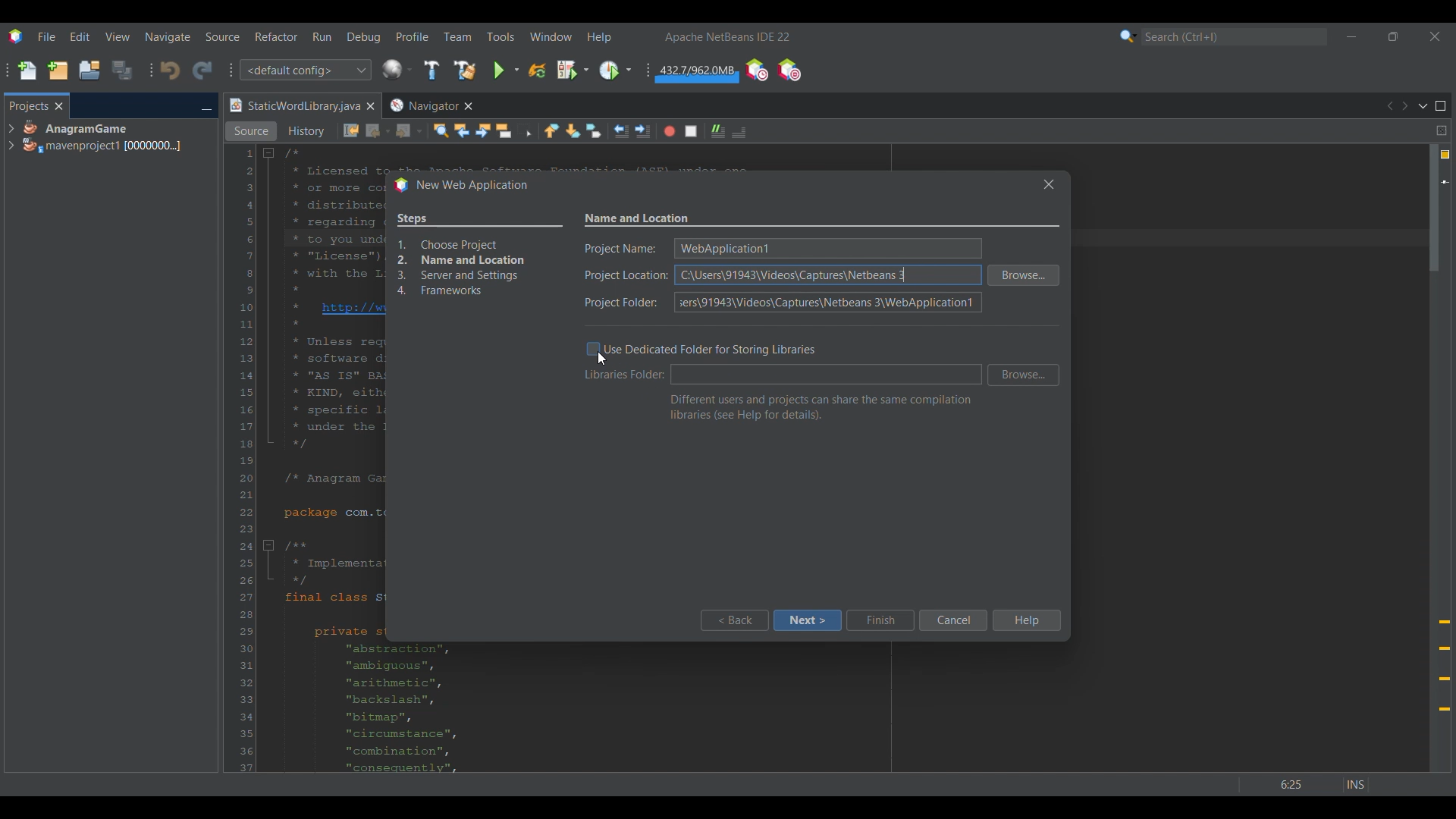 This screenshot has width=1456, height=819. Describe the element at coordinates (122, 70) in the screenshot. I see `Save all` at that location.